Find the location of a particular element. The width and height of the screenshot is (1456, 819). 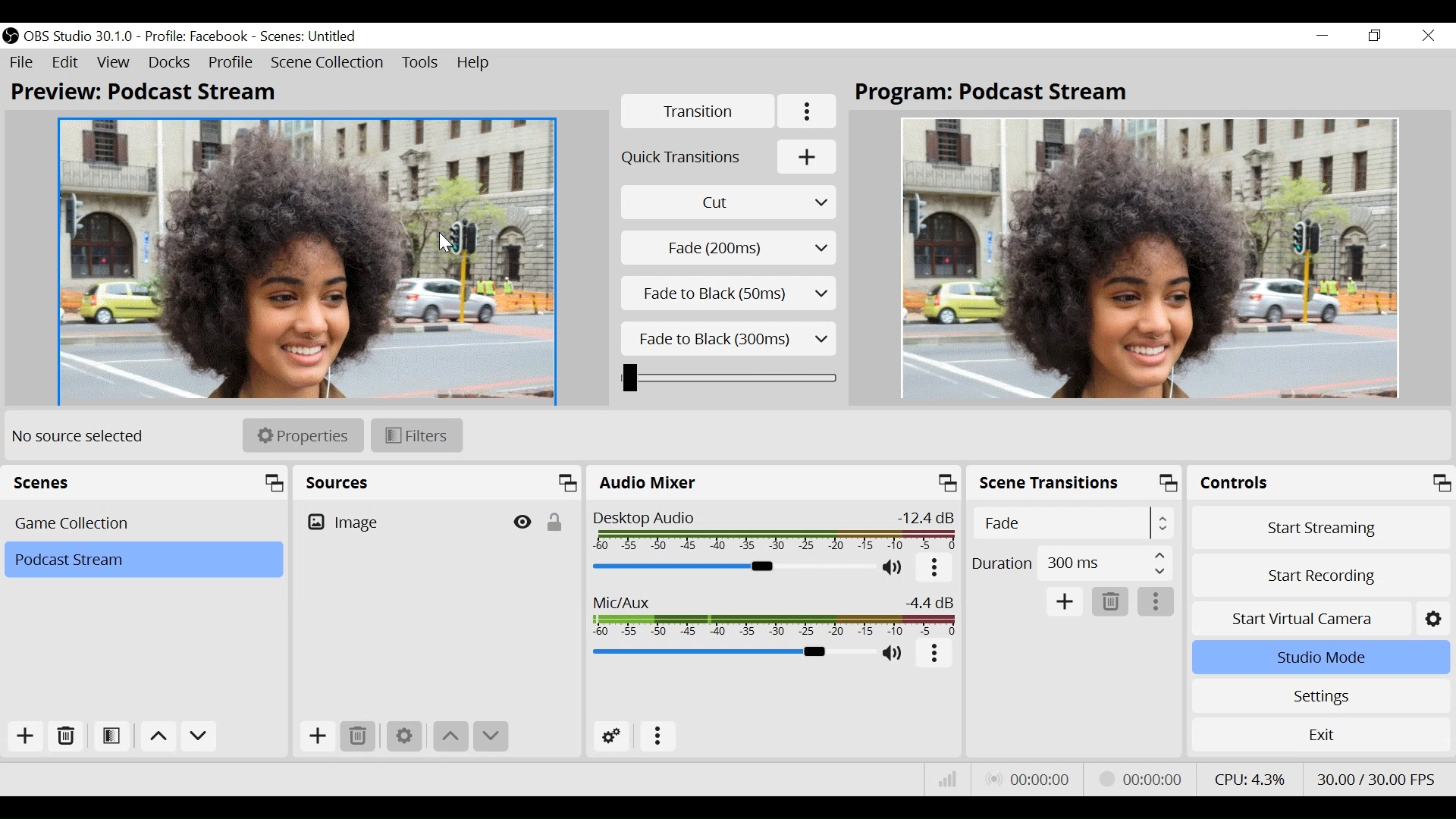

Program Scene is located at coordinates (1150, 256).